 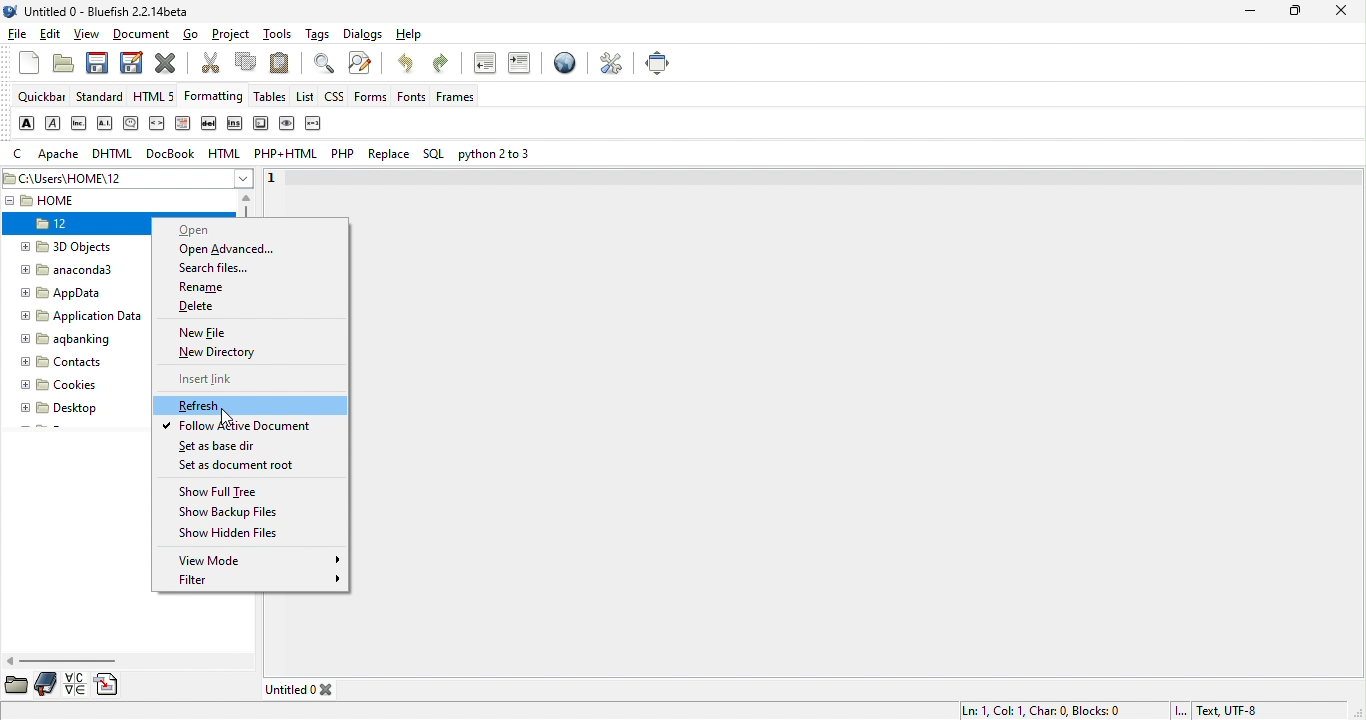 I want to click on quickbar, so click(x=42, y=98).